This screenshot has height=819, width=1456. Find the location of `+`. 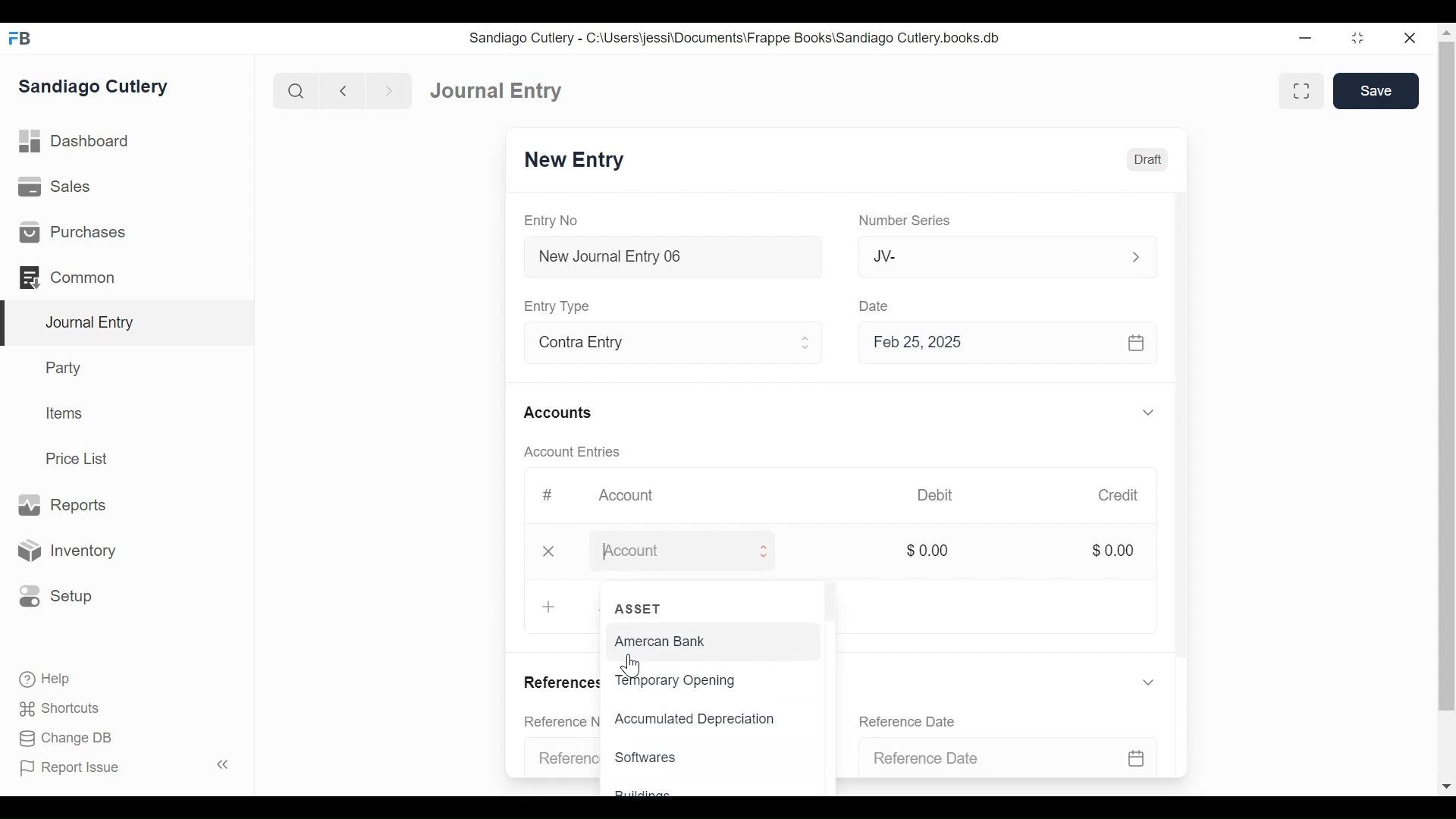

+ is located at coordinates (551, 607).